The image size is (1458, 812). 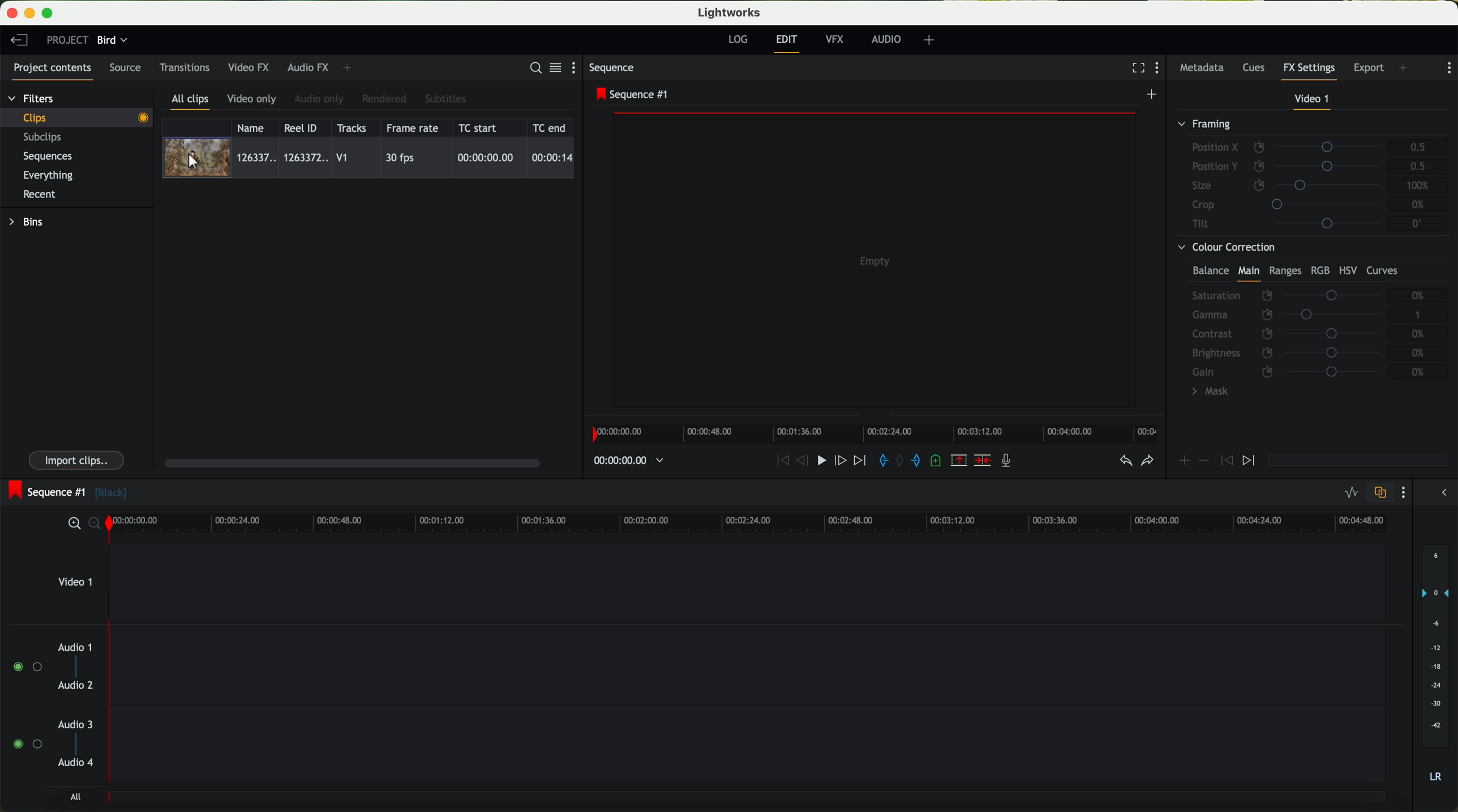 What do you see at coordinates (40, 196) in the screenshot?
I see `recent` at bounding box center [40, 196].